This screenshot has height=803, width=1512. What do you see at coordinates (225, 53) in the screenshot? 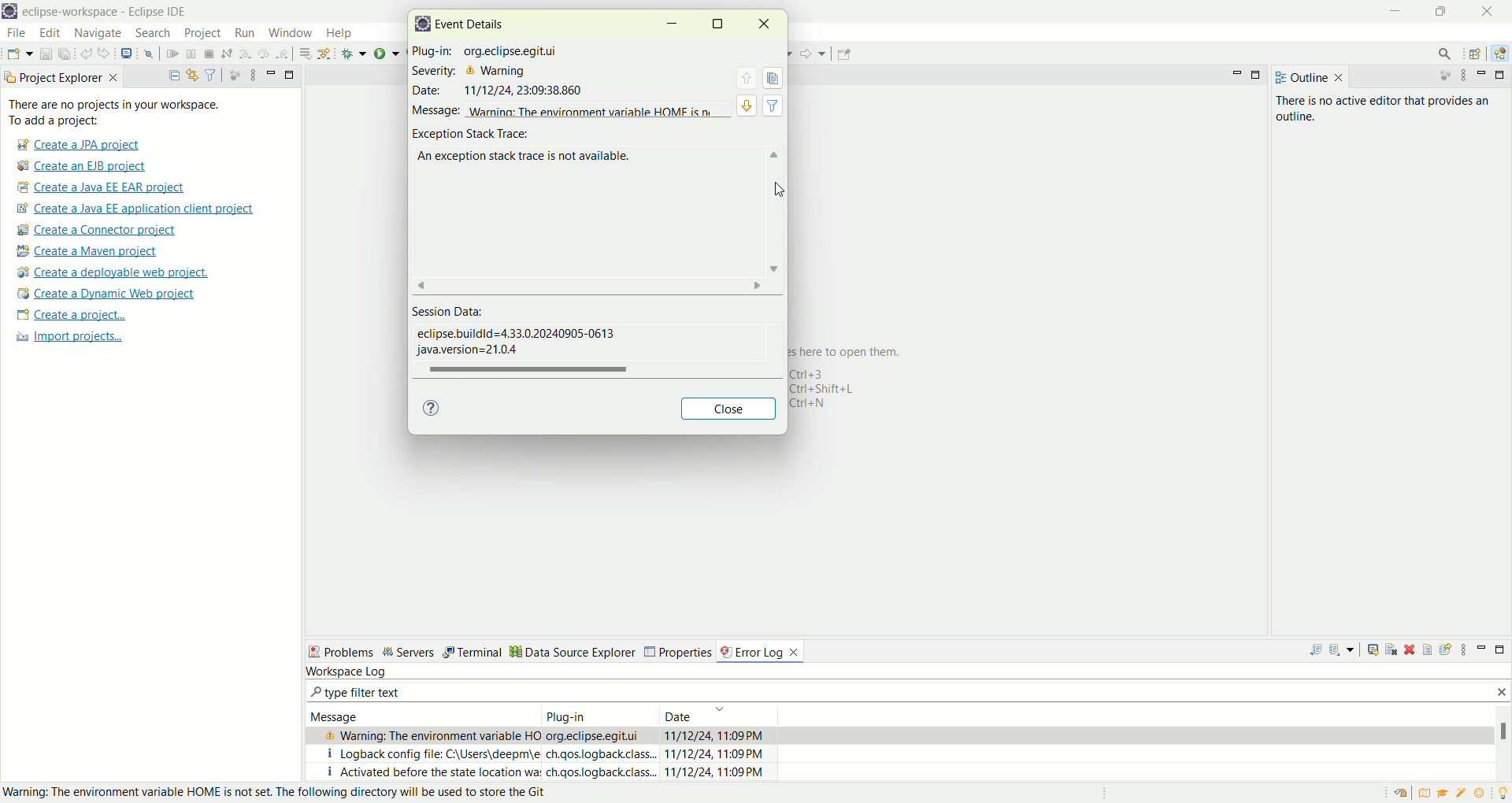
I see `disconnect` at bounding box center [225, 53].